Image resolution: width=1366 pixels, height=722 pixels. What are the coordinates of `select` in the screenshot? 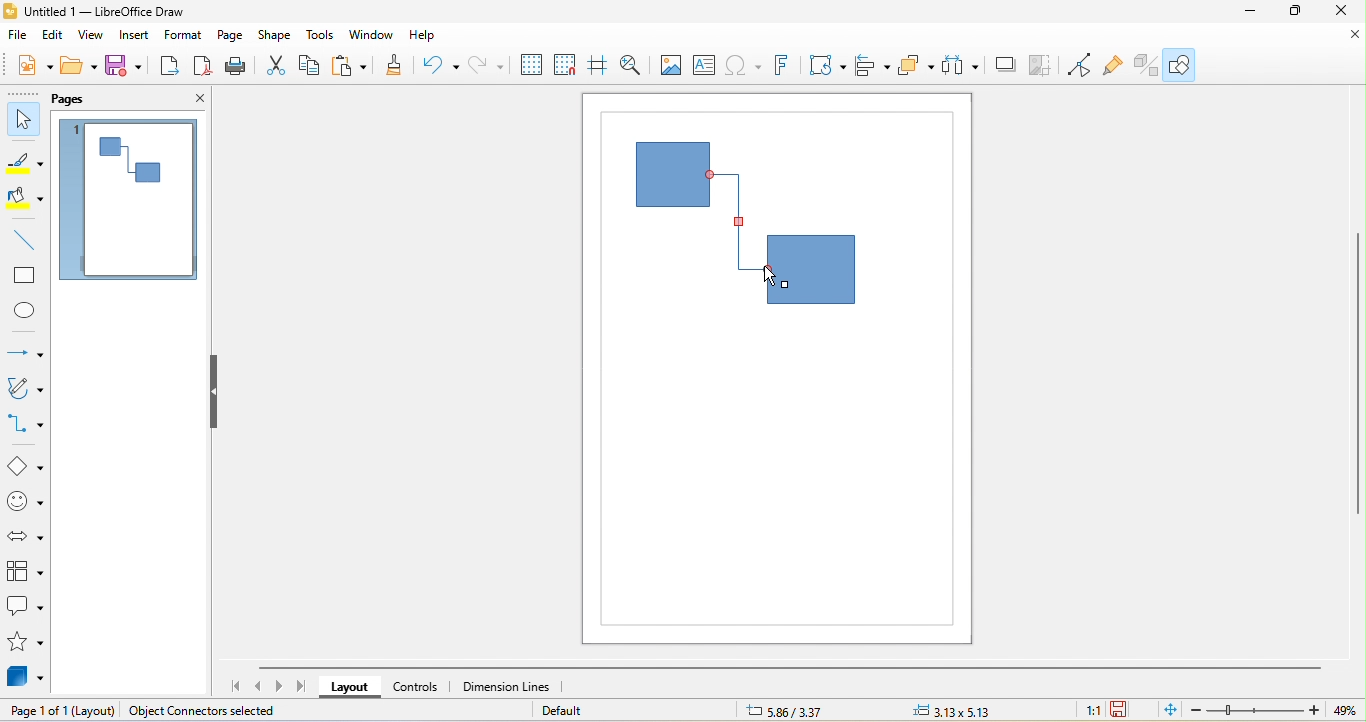 It's located at (23, 117).